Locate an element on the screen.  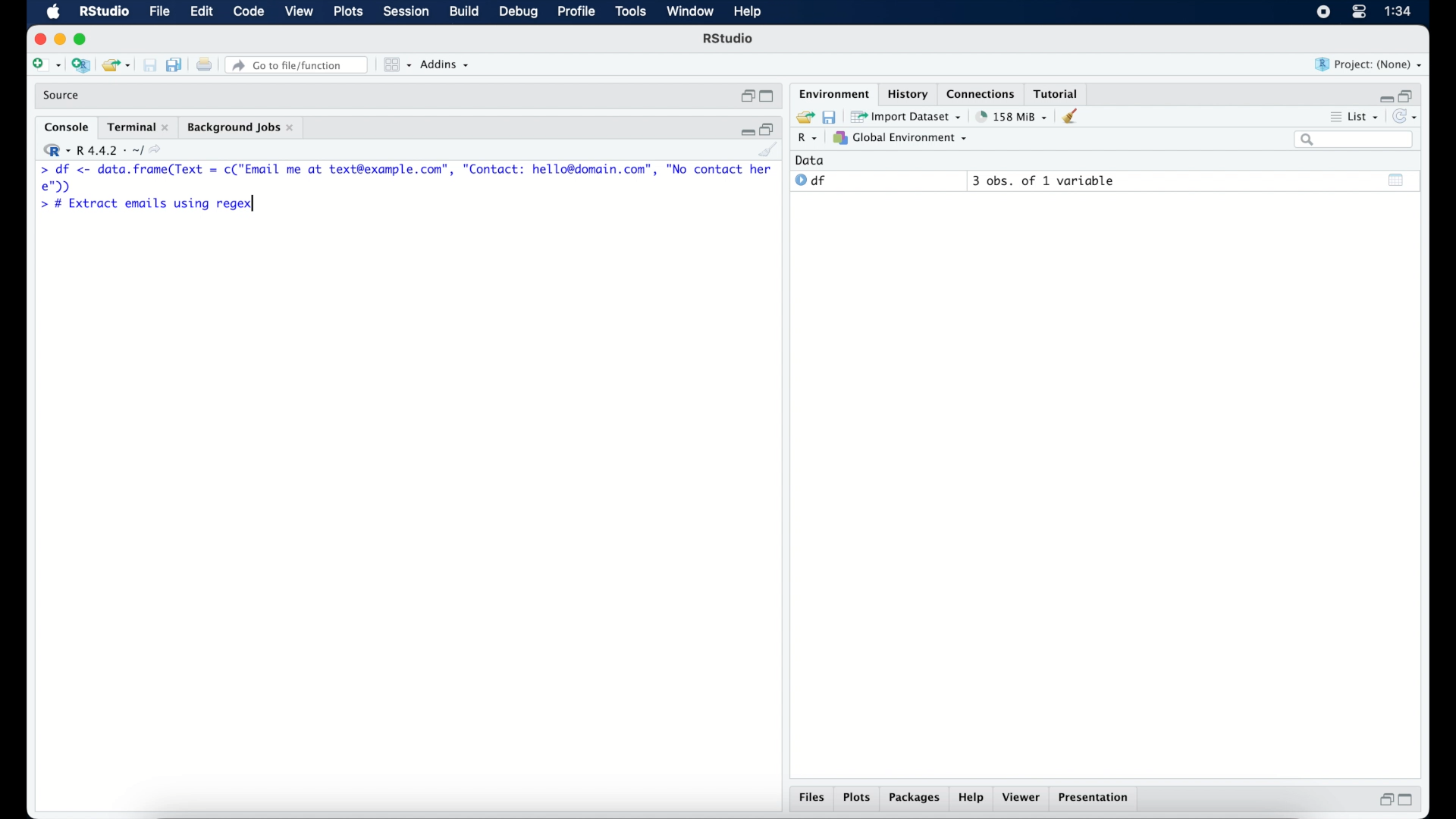
packages is located at coordinates (914, 799).